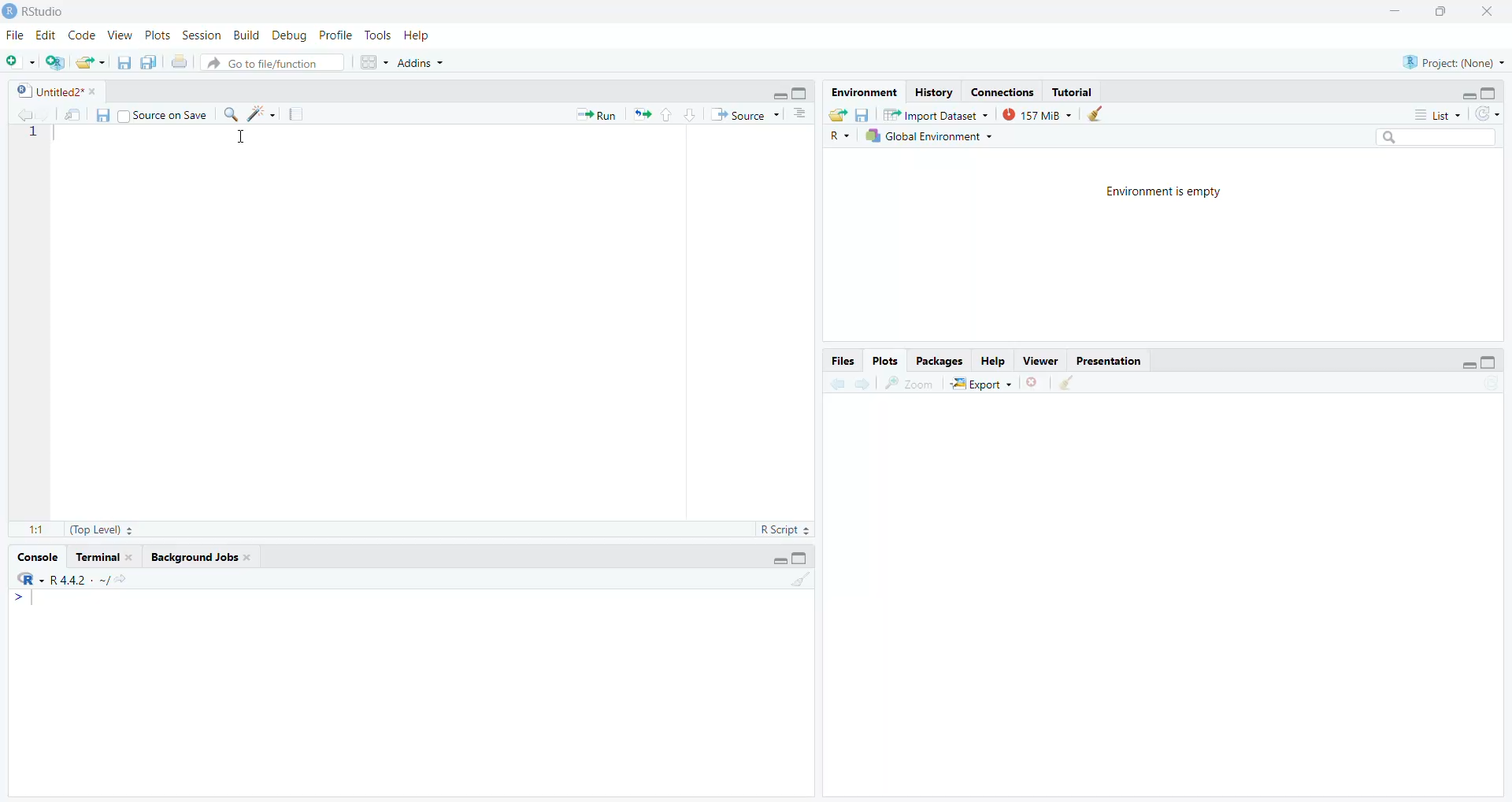 The width and height of the screenshot is (1512, 802). What do you see at coordinates (377, 61) in the screenshot?
I see `workspace panes` at bounding box center [377, 61].